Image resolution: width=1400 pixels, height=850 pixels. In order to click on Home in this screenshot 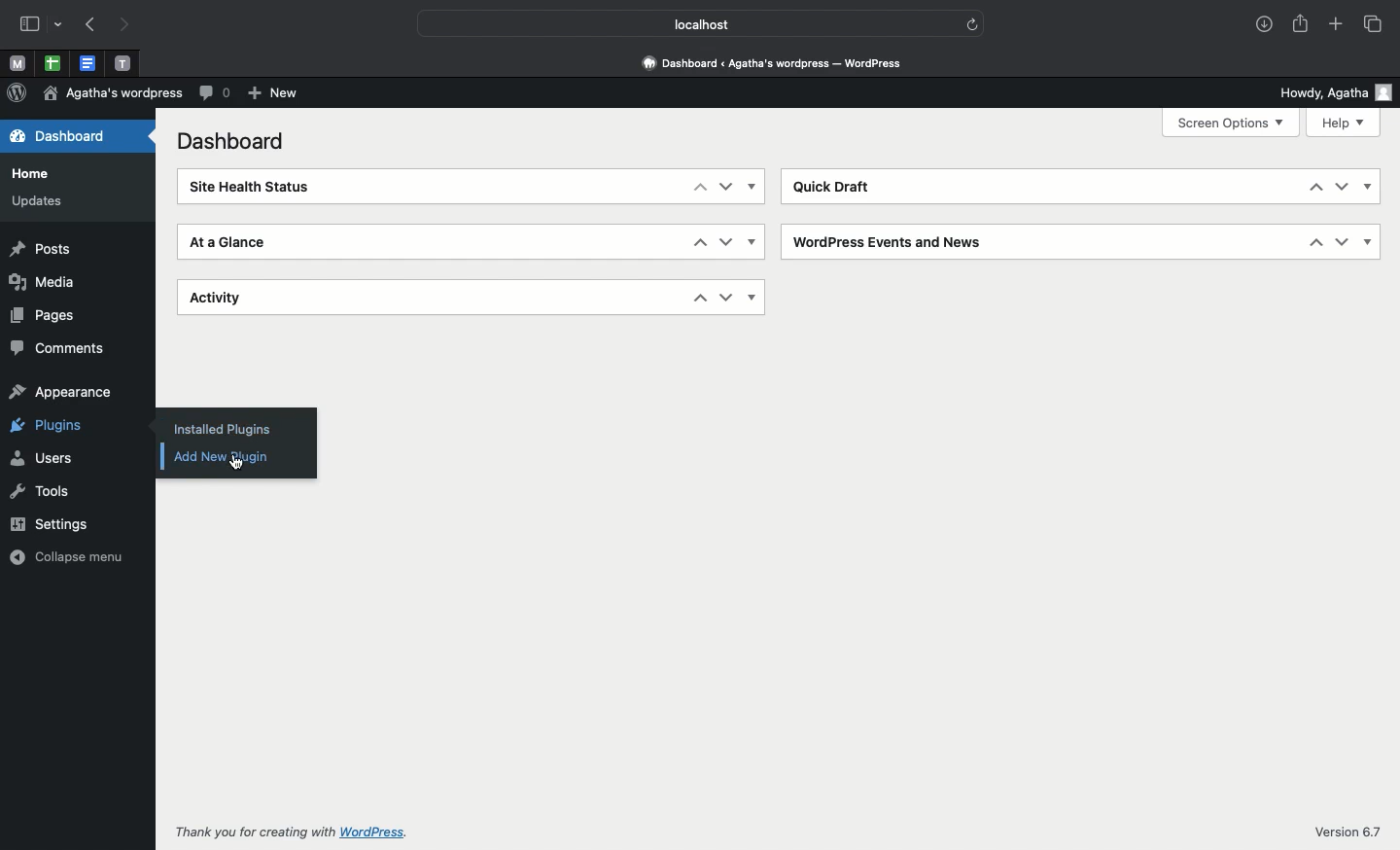, I will do `click(30, 172)`.